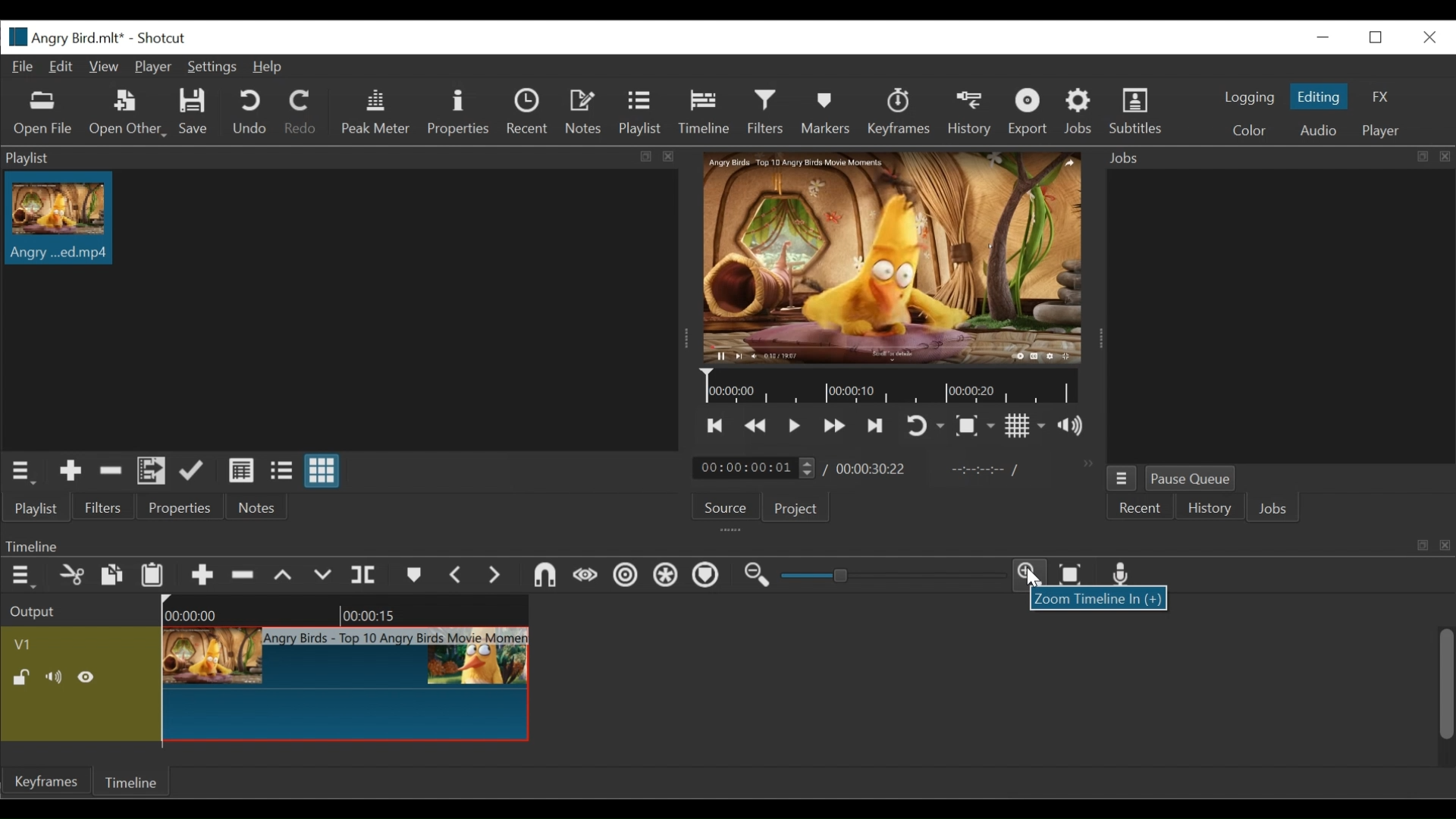 Image resolution: width=1456 pixels, height=819 pixels. I want to click on Project, so click(799, 510).